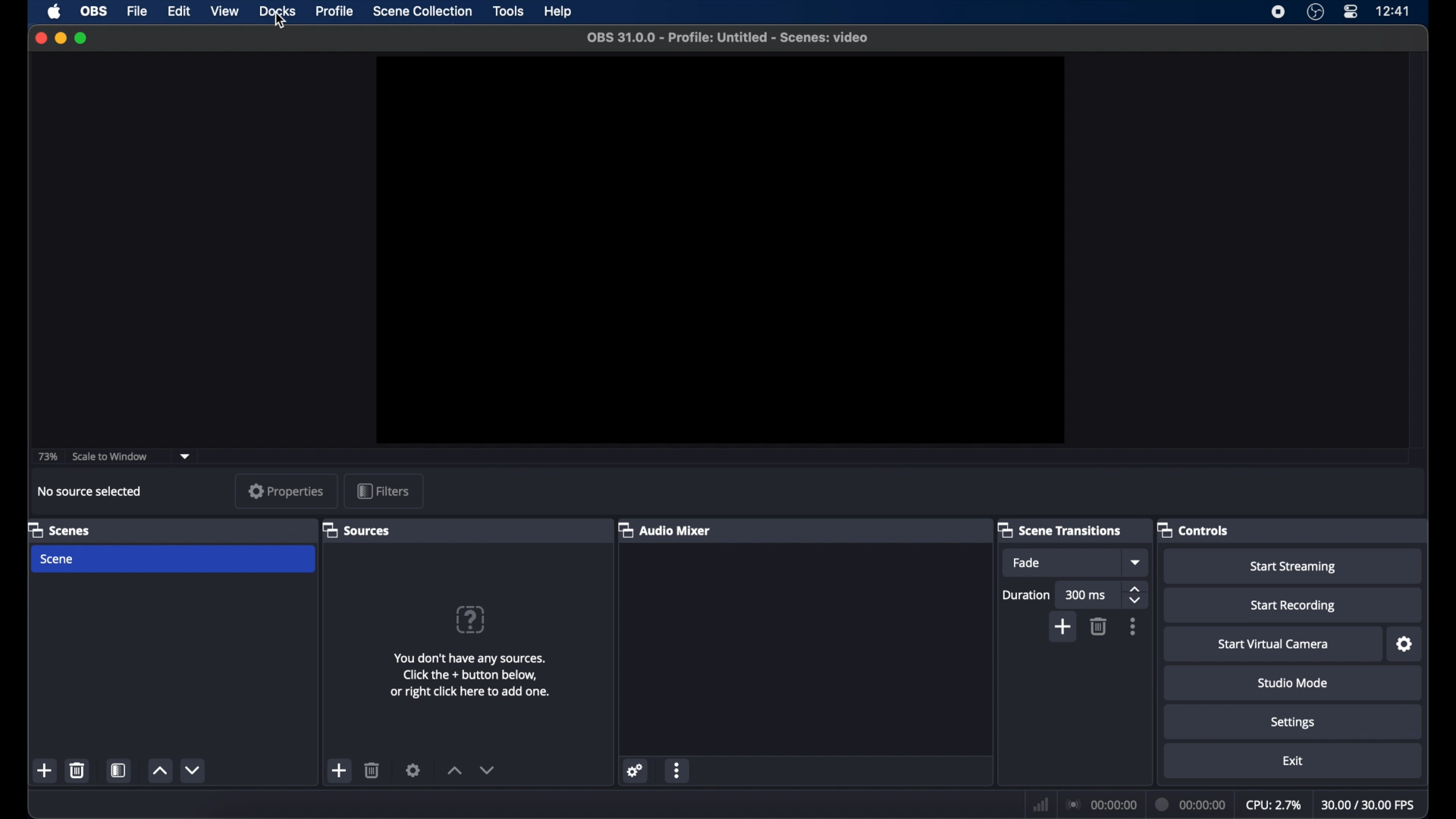  What do you see at coordinates (1294, 606) in the screenshot?
I see `start recording` at bounding box center [1294, 606].